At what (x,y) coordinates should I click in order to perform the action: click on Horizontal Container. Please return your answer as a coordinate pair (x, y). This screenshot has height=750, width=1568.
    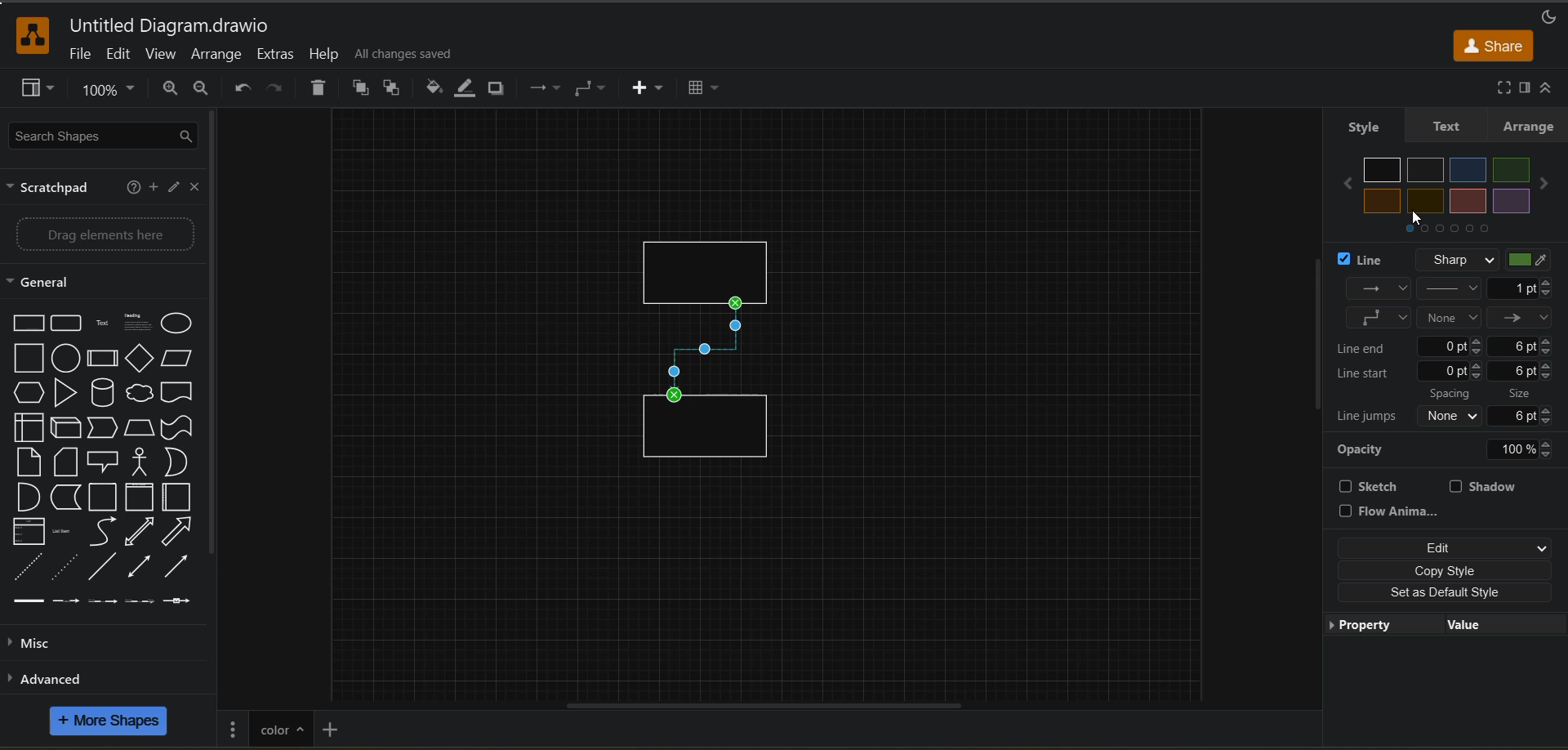
    Looking at the image, I should click on (180, 498).